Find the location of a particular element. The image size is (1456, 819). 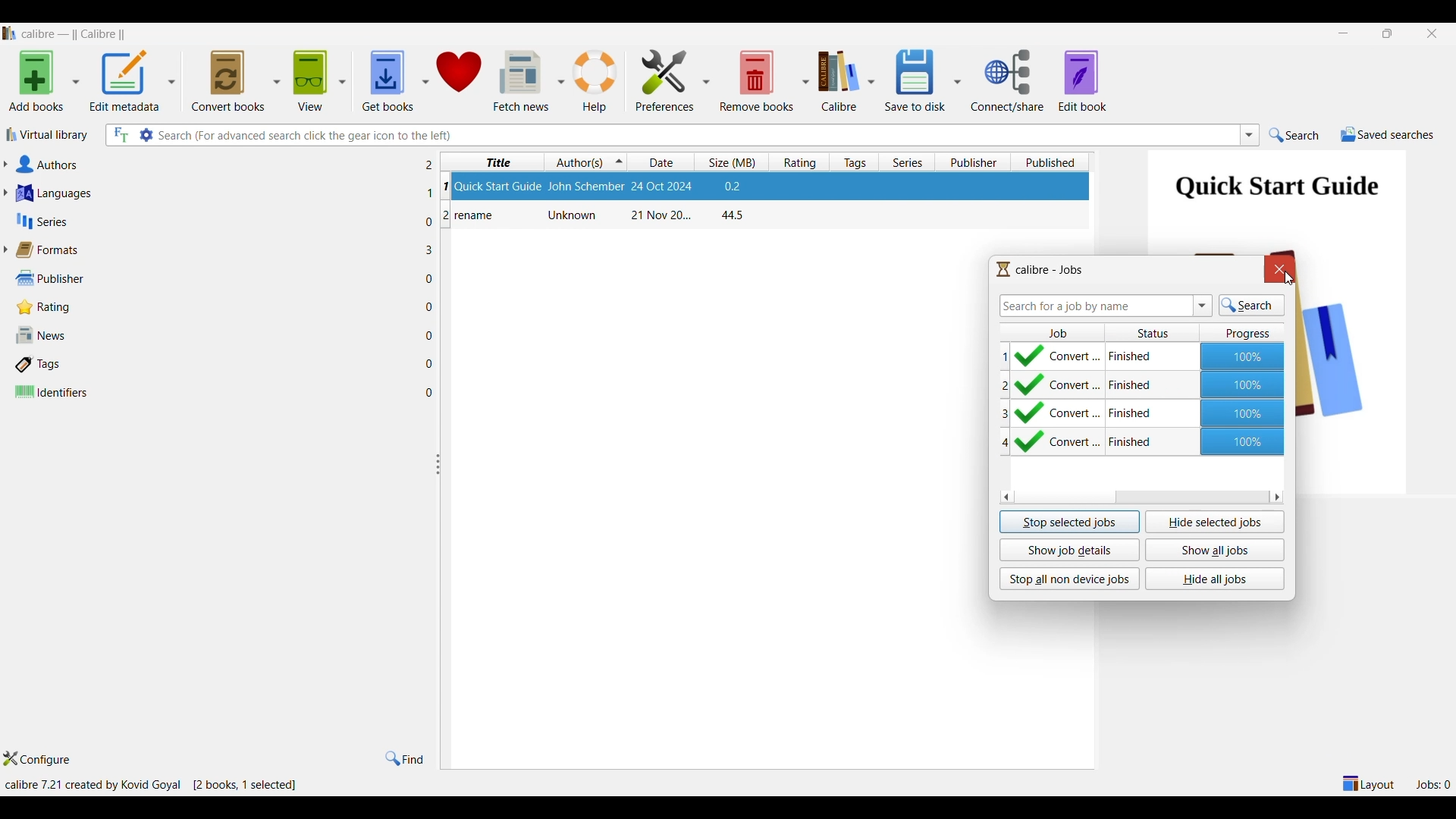

Advanced search is located at coordinates (145, 135).